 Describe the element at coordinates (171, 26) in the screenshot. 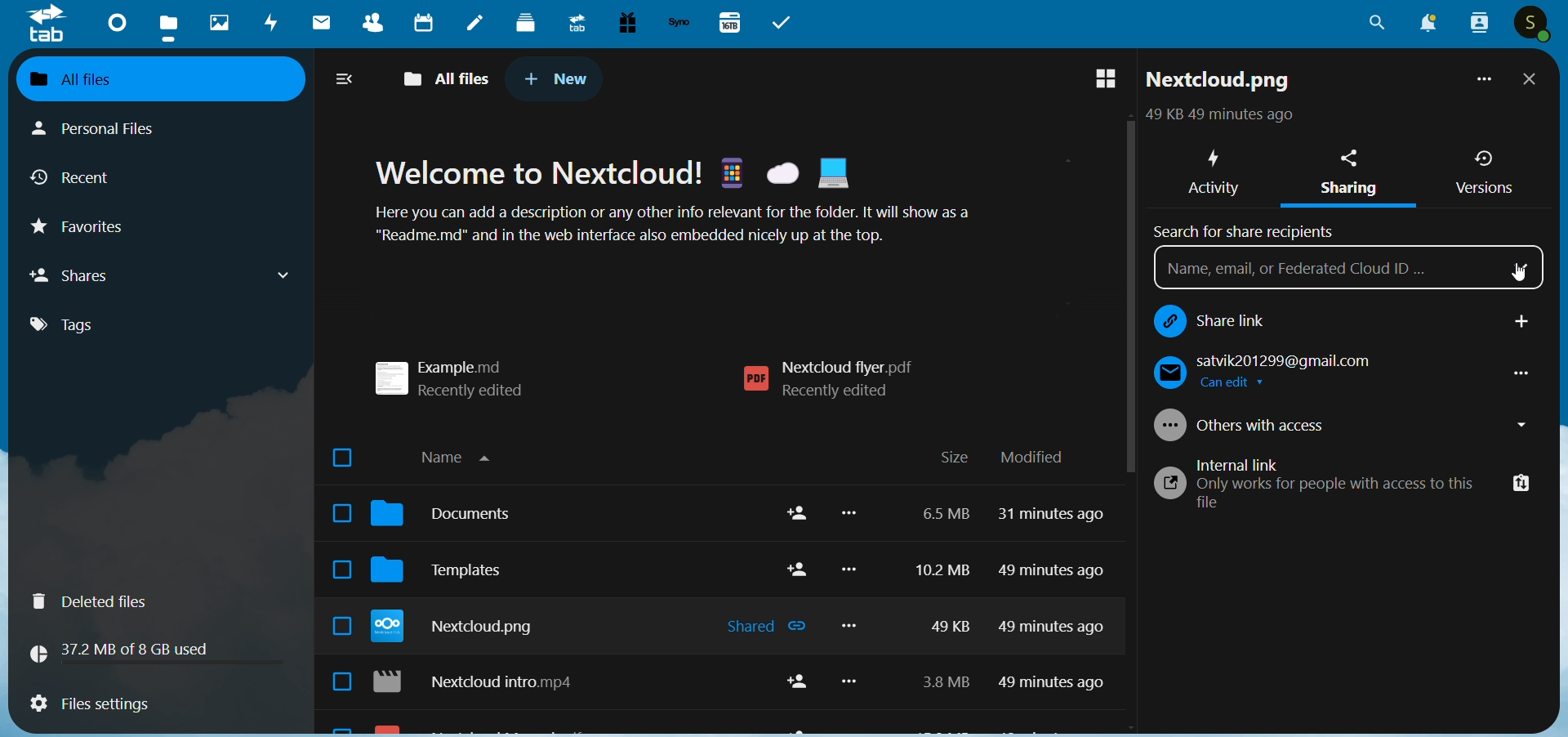

I see `files` at that location.